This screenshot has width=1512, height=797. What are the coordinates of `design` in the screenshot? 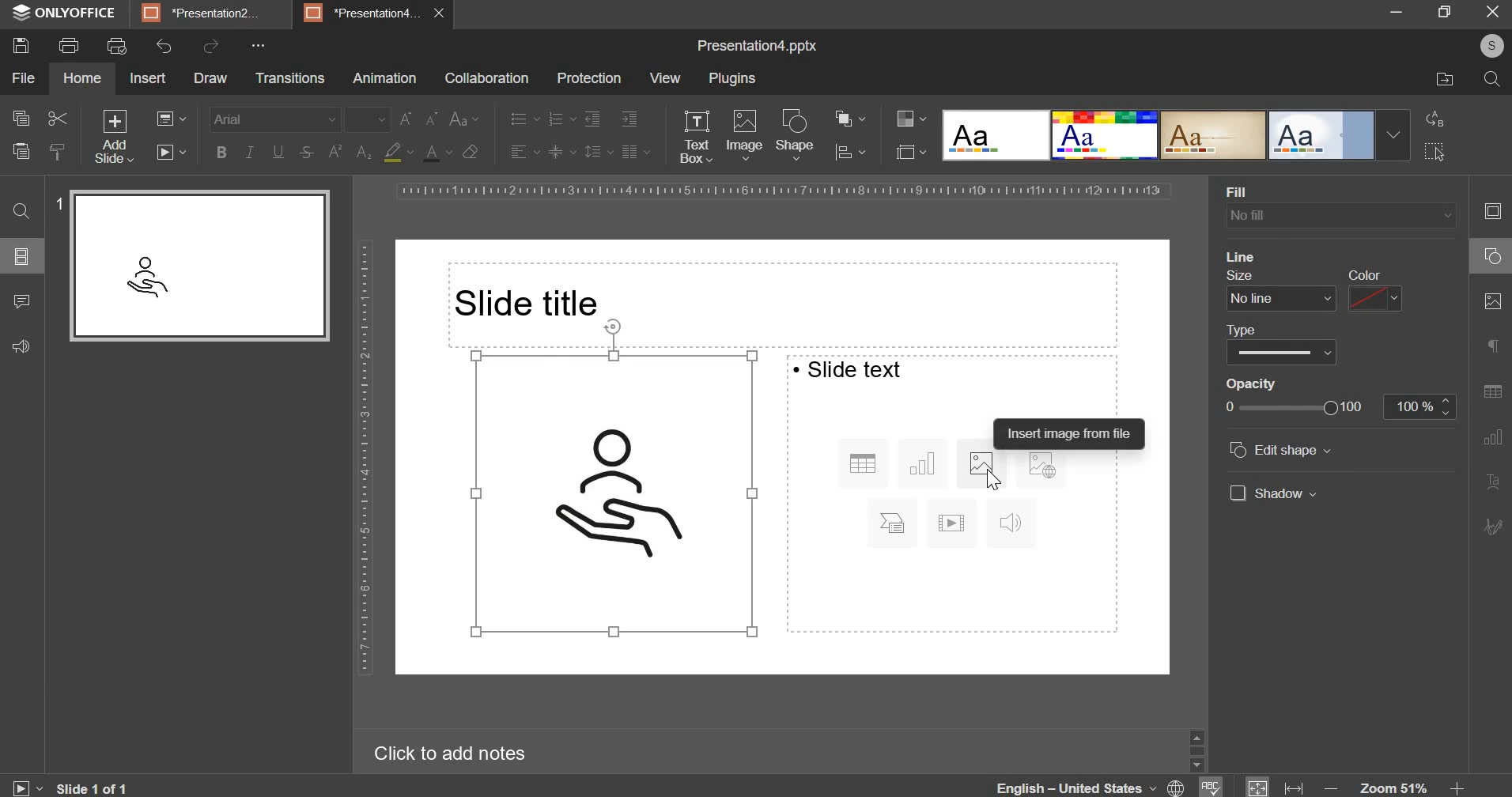 It's located at (997, 136).